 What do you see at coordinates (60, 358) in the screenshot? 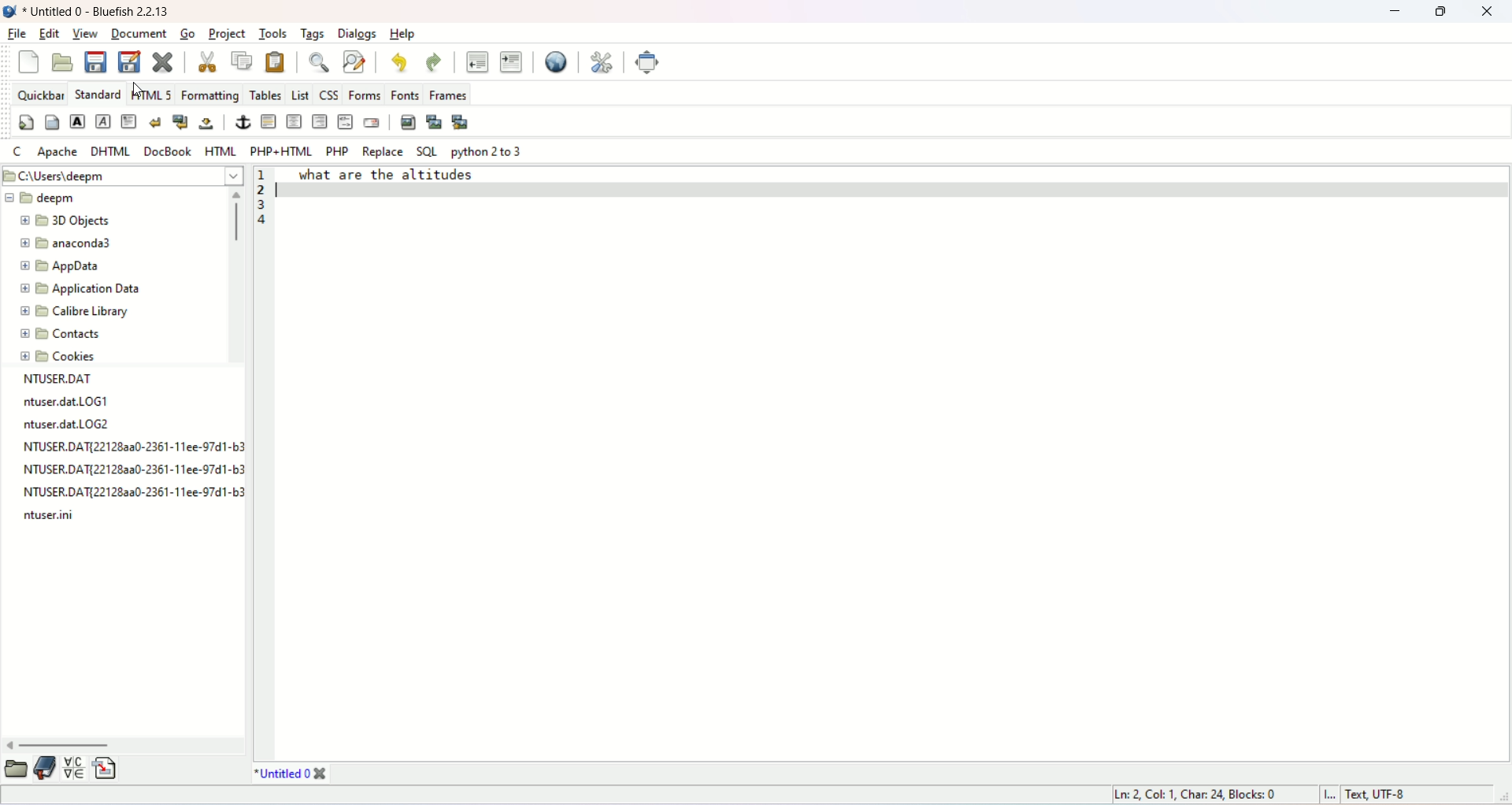
I see `cookies` at bounding box center [60, 358].